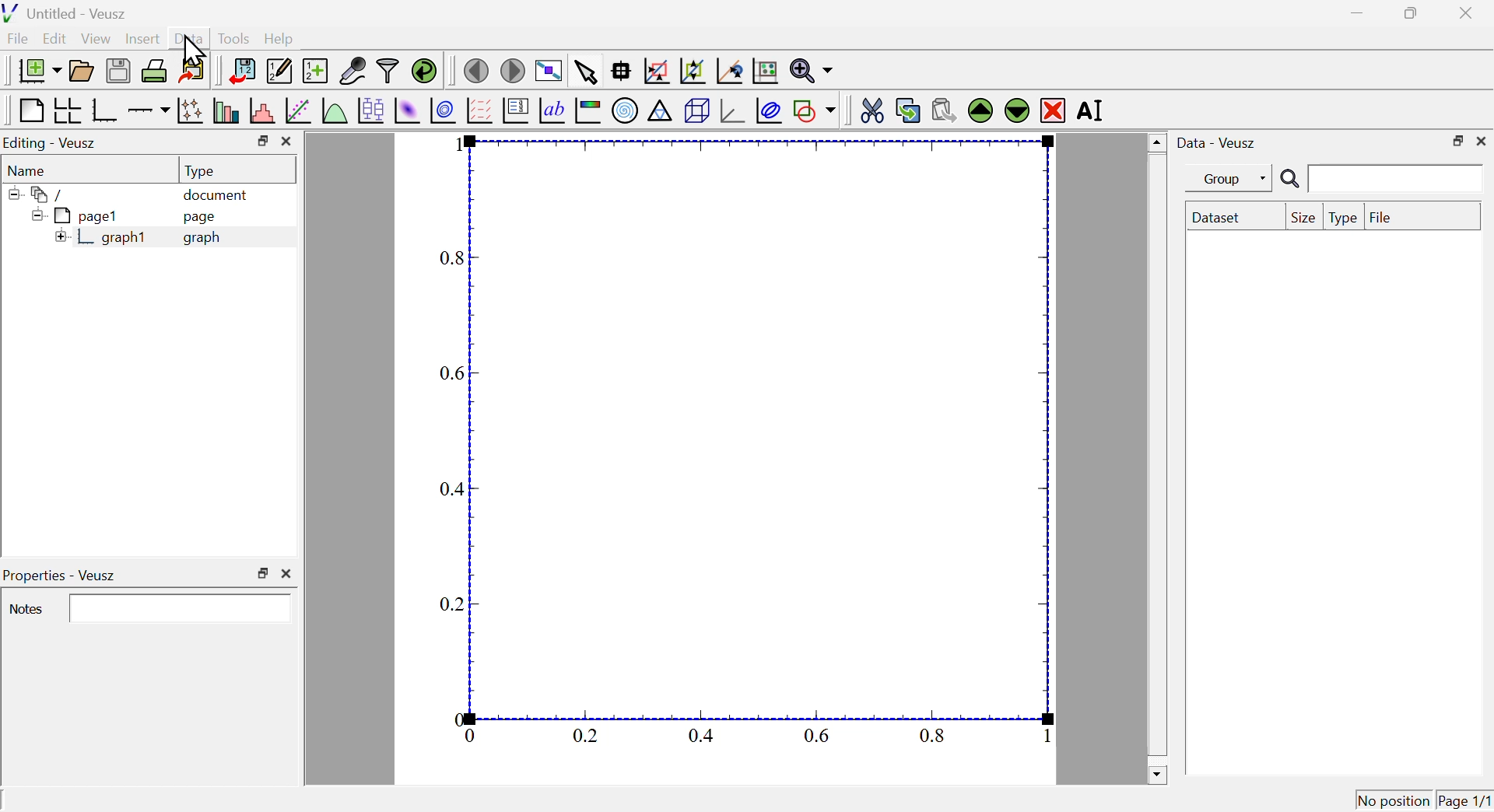 This screenshot has width=1494, height=812. Describe the element at coordinates (452, 606) in the screenshot. I see `0.2` at that location.